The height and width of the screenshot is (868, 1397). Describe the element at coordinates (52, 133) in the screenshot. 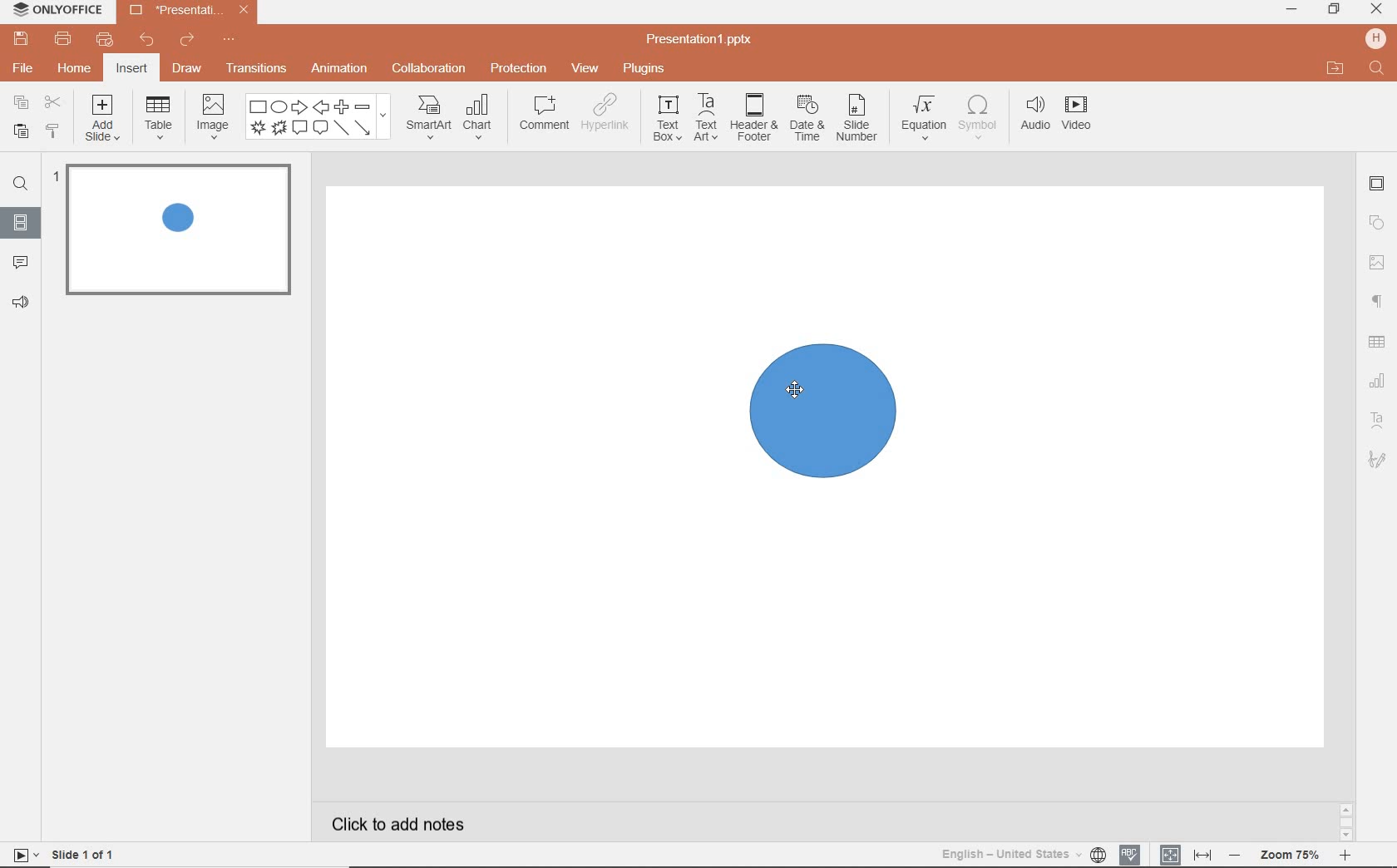

I see `copy style` at that location.